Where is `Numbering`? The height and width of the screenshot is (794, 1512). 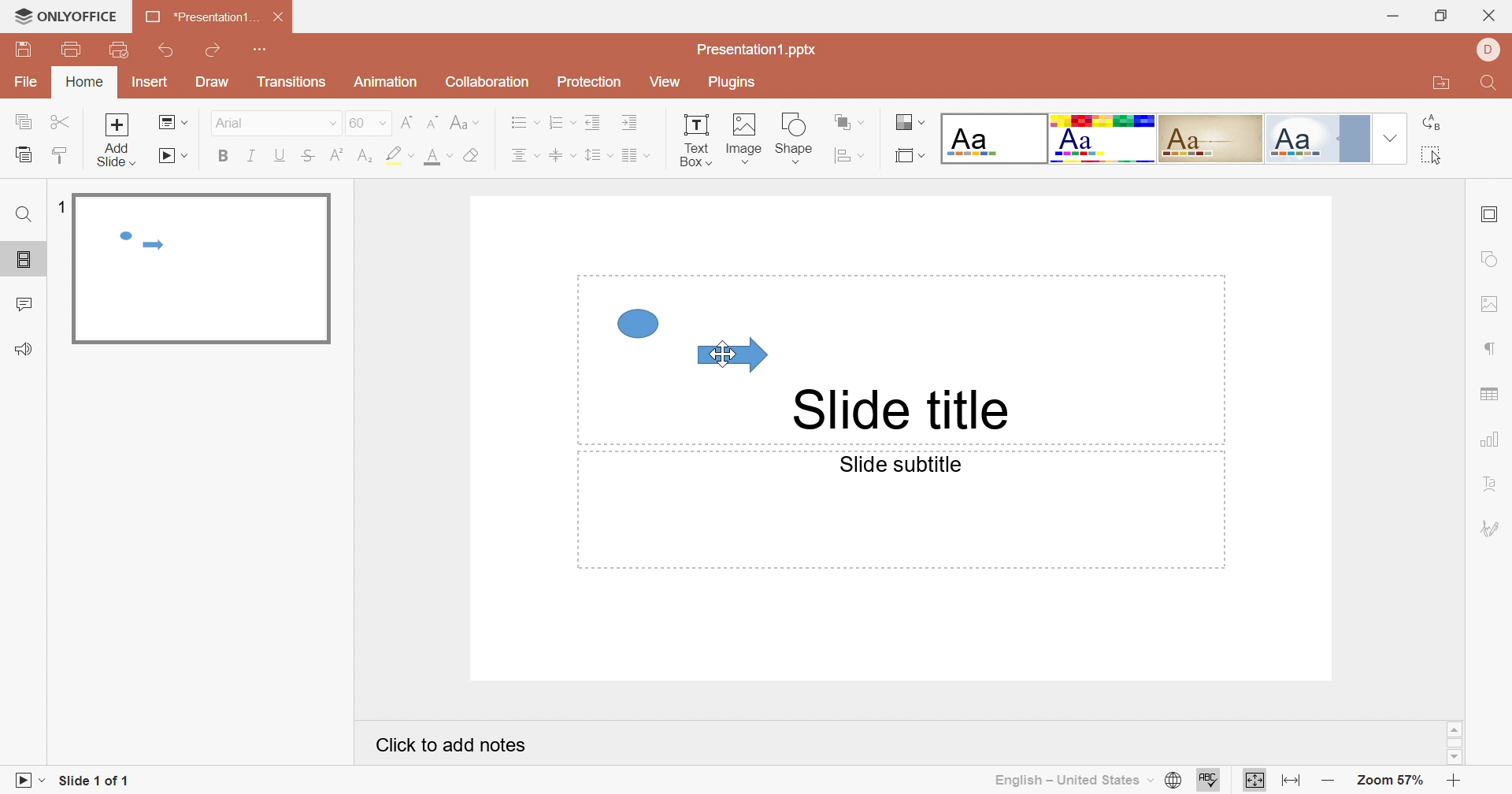 Numbering is located at coordinates (559, 122).